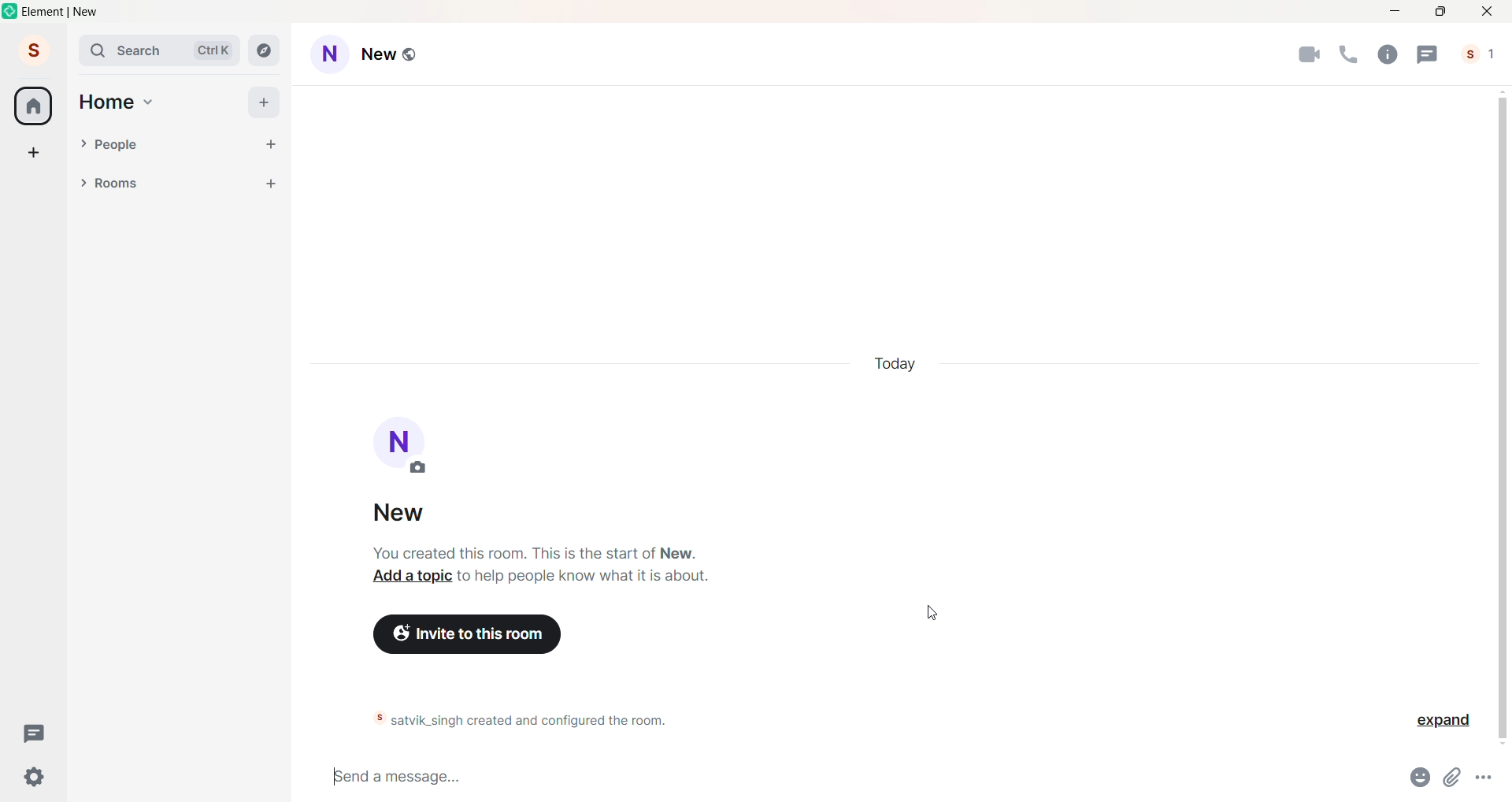 The width and height of the screenshot is (1512, 802). Describe the element at coordinates (1483, 54) in the screenshot. I see `People Count` at that location.